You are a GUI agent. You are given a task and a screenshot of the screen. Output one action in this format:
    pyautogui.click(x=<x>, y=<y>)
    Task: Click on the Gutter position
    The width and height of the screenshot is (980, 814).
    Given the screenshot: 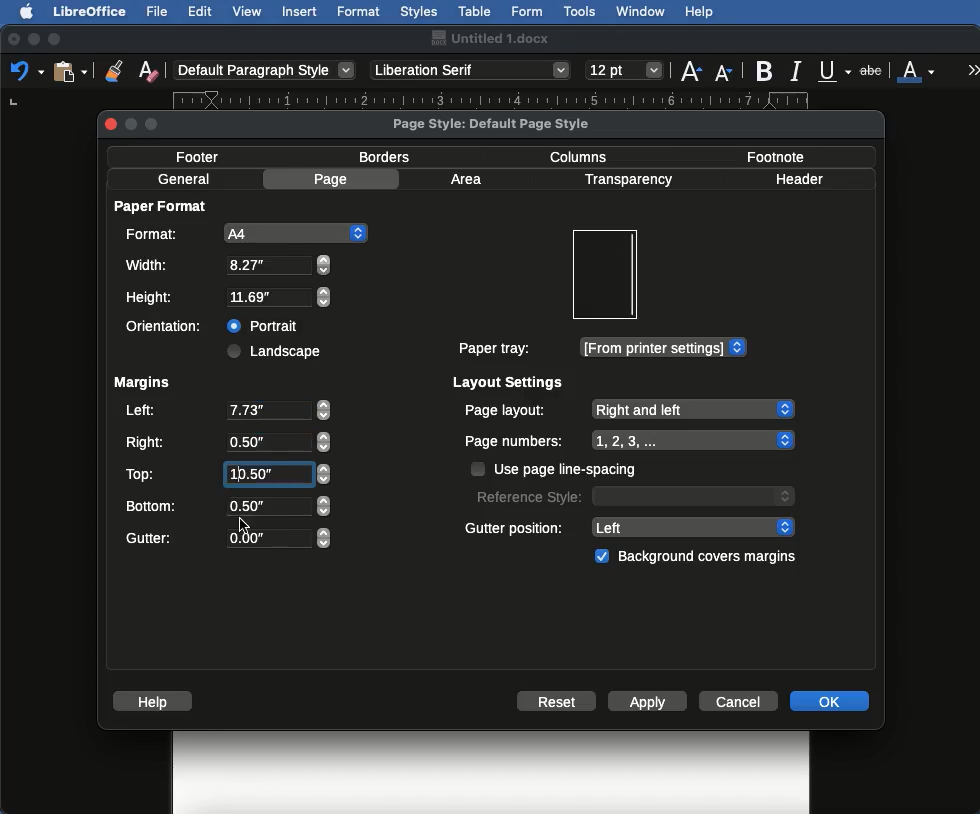 What is the action you would take?
    pyautogui.click(x=631, y=526)
    